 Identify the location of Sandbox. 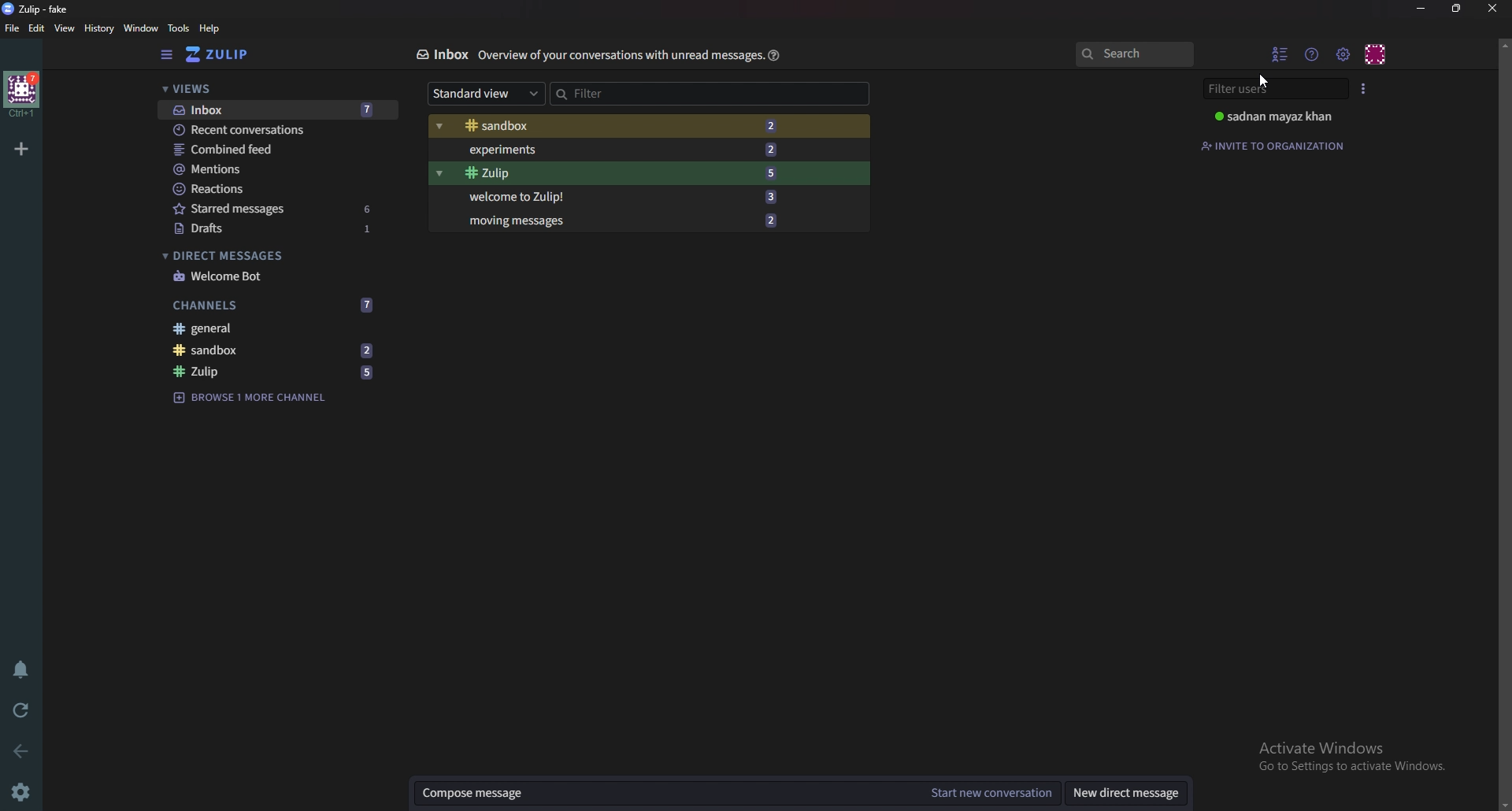
(625, 126).